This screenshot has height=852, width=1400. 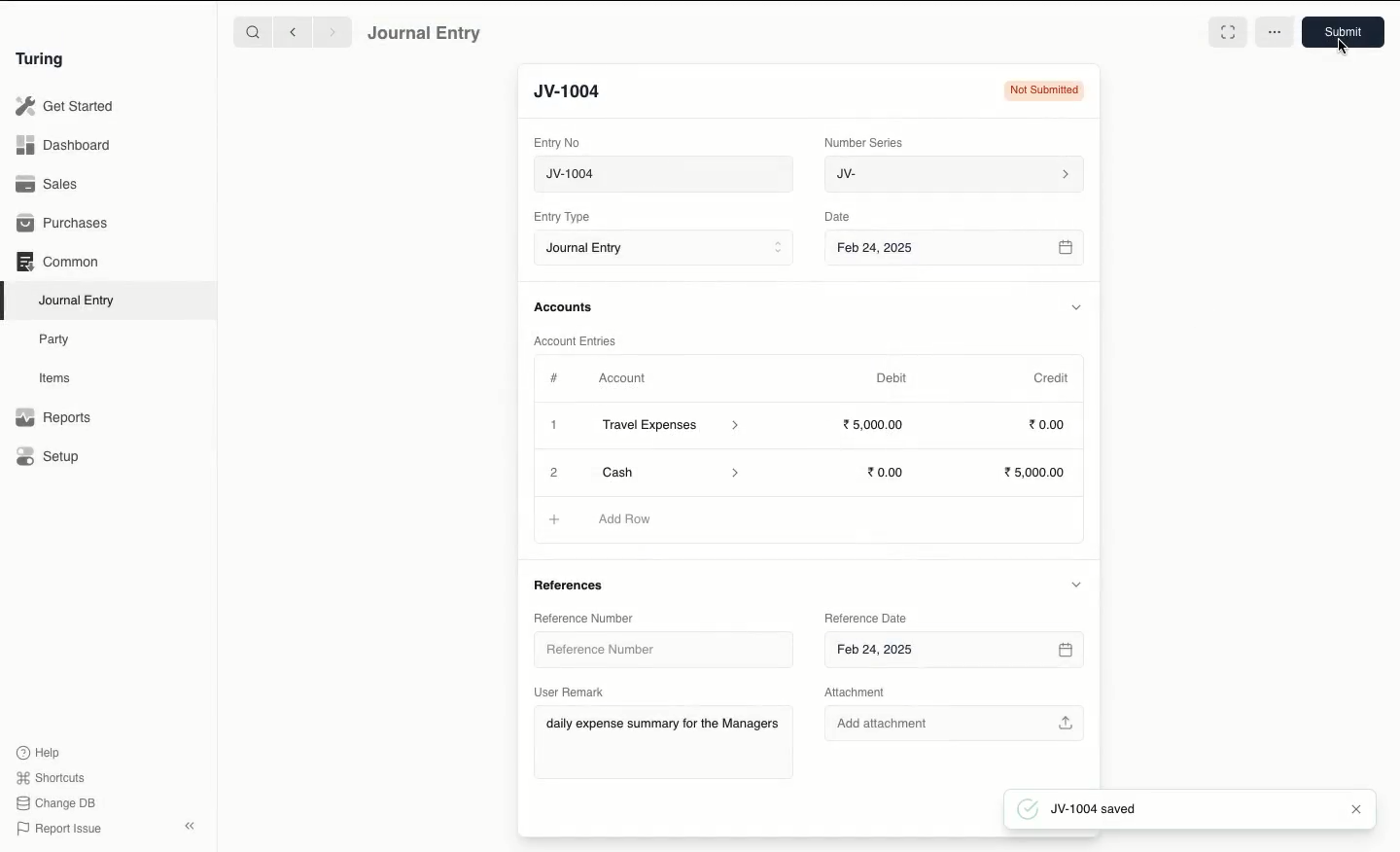 What do you see at coordinates (555, 426) in the screenshot?
I see `Add` at bounding box center [555, 426].